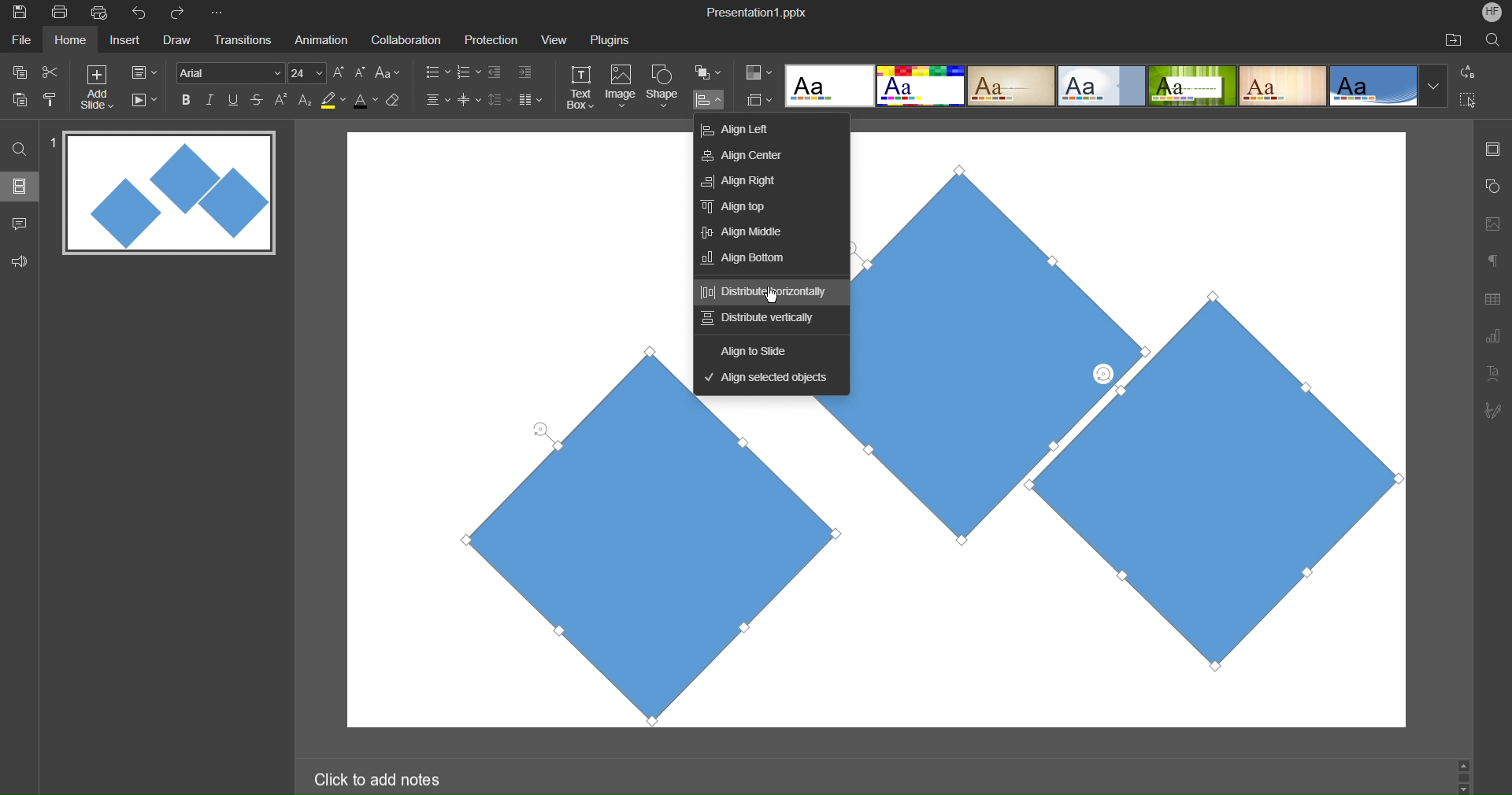 This screenshot has height=795, width=1512. What do you see at coordinates (1492, 338) in the screenshot?
I see `Graph` at bounding box center [1492, 338].